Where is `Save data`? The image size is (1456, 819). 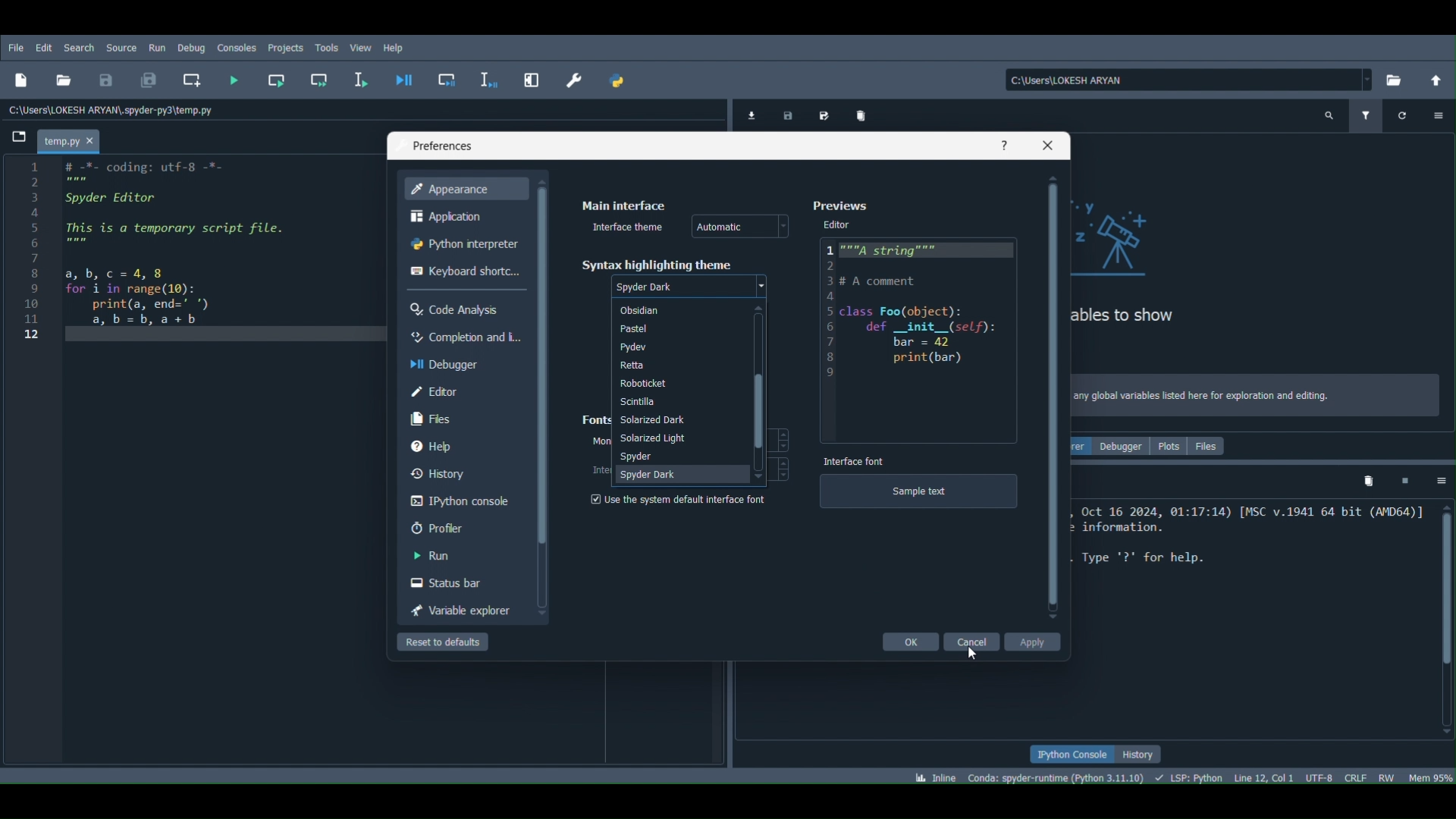 Save data is located at coordinates (789, 113).